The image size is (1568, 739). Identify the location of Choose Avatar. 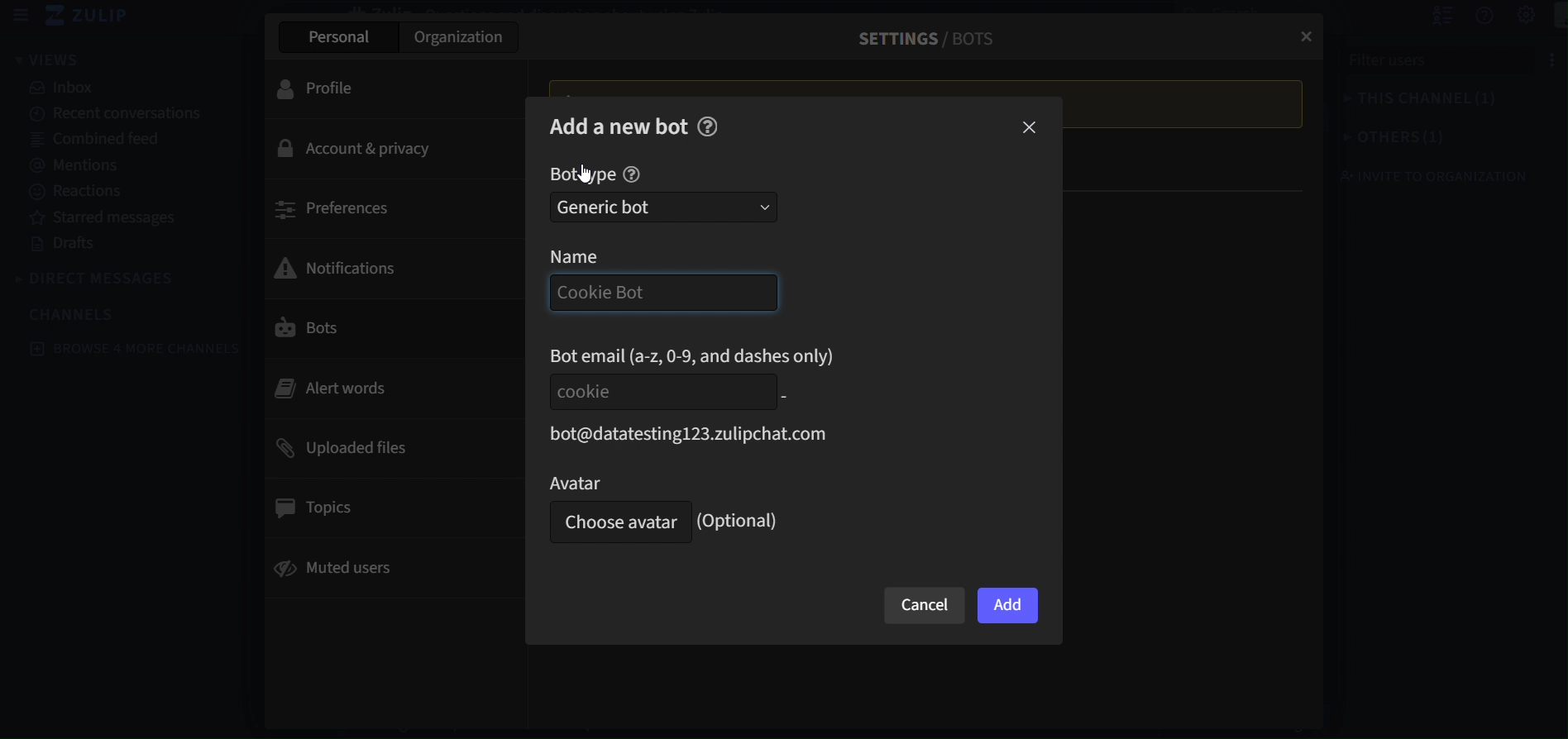
(616, 523).